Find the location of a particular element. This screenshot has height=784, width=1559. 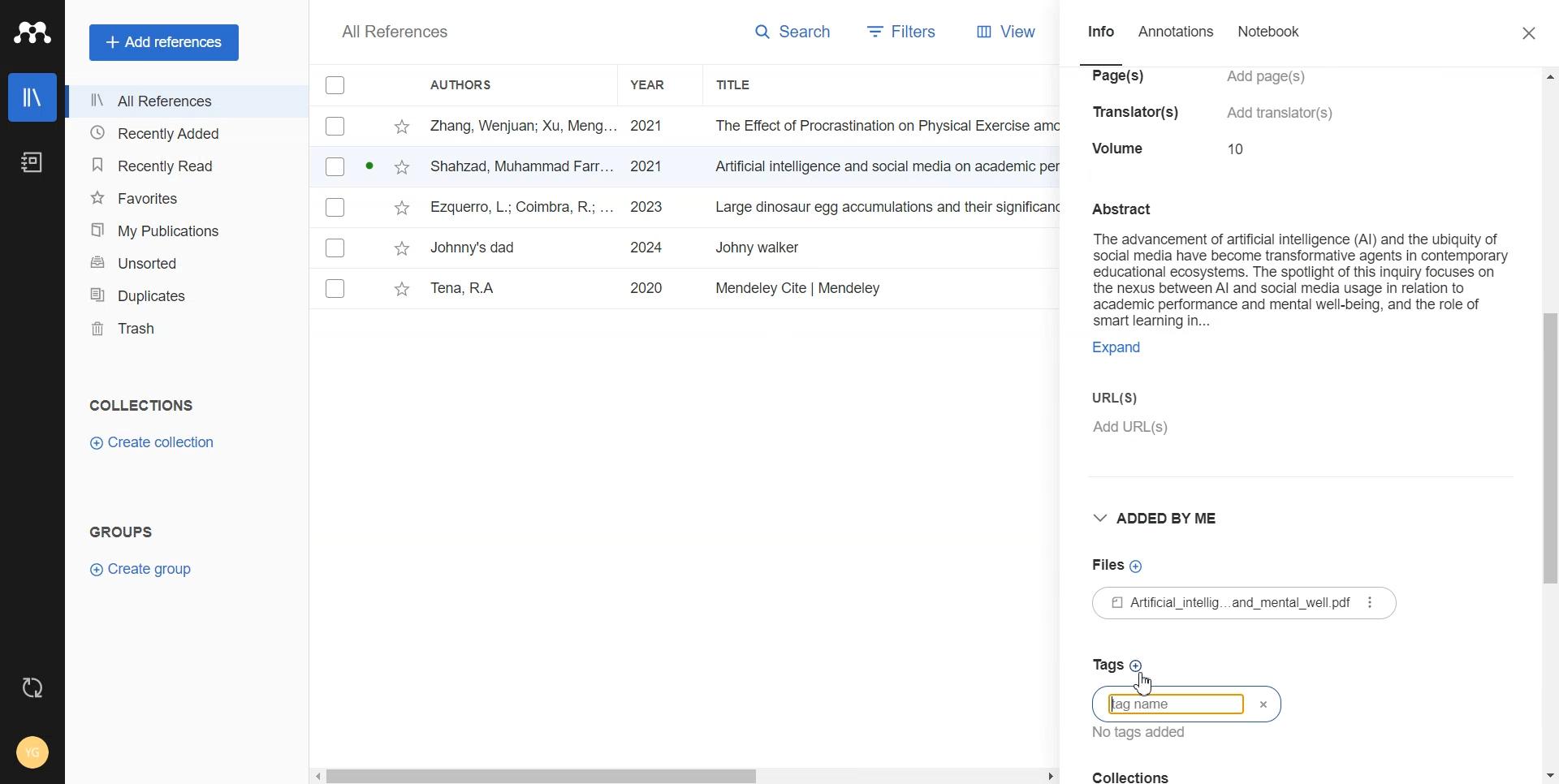

All References is located at coordinates (184, 102).